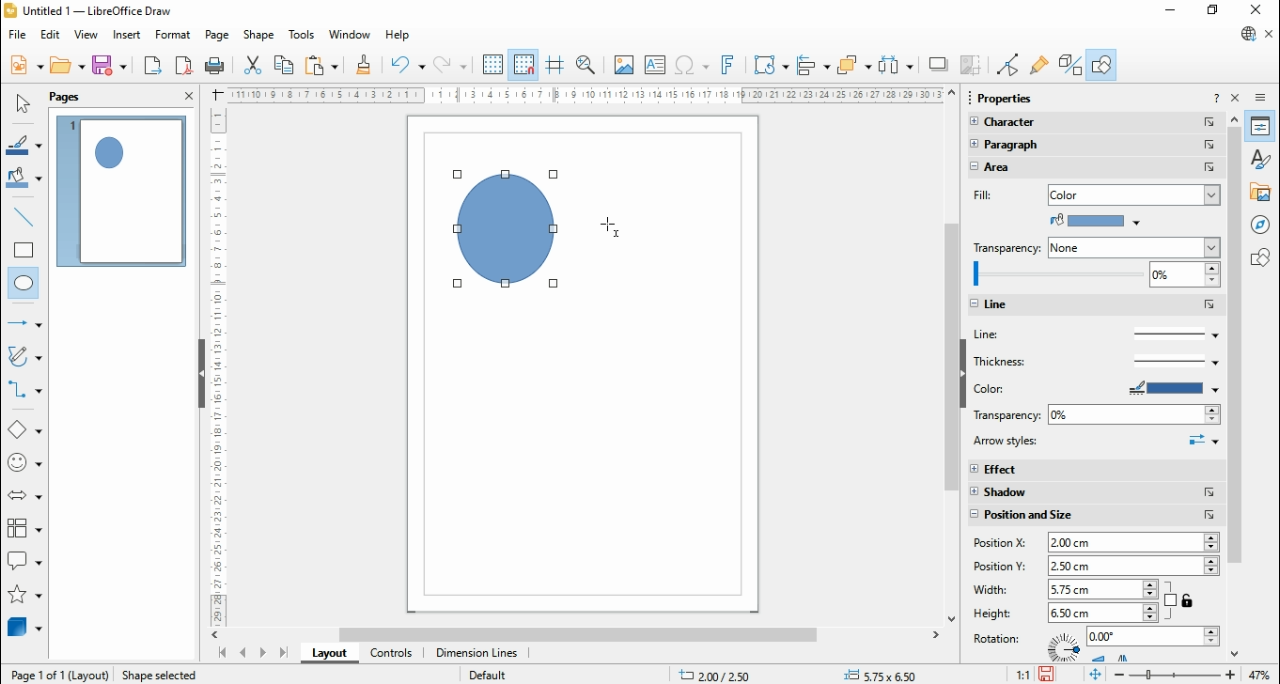 The width and height of the screenshot is (1280, 684). What do you see at coordinates (886, 674) in the screenshot?
I see `+= 0,00x 0.00` at bounding box center [886, 674].